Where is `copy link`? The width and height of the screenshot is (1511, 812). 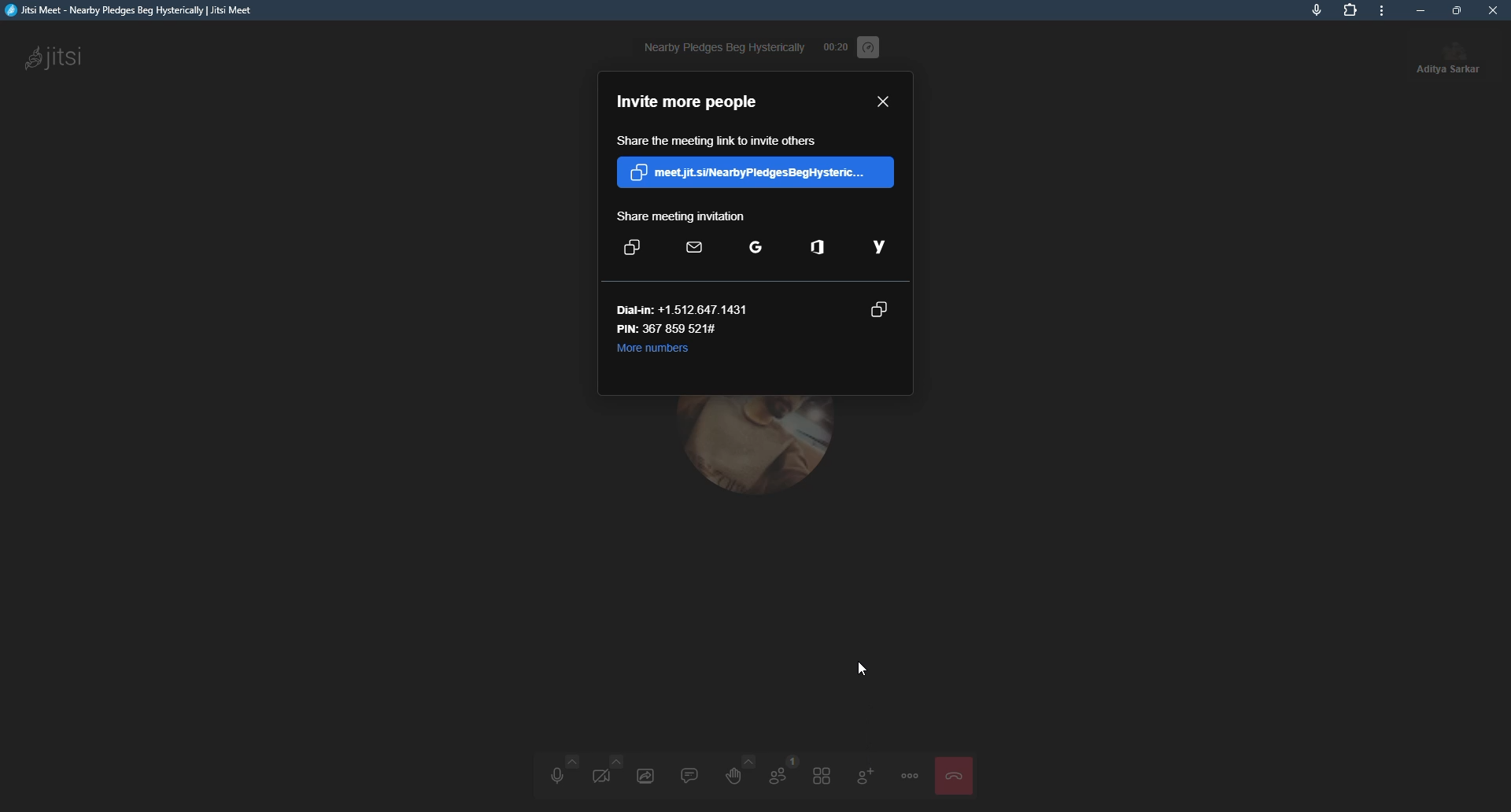
copy link is located at coordinates (754, 175).